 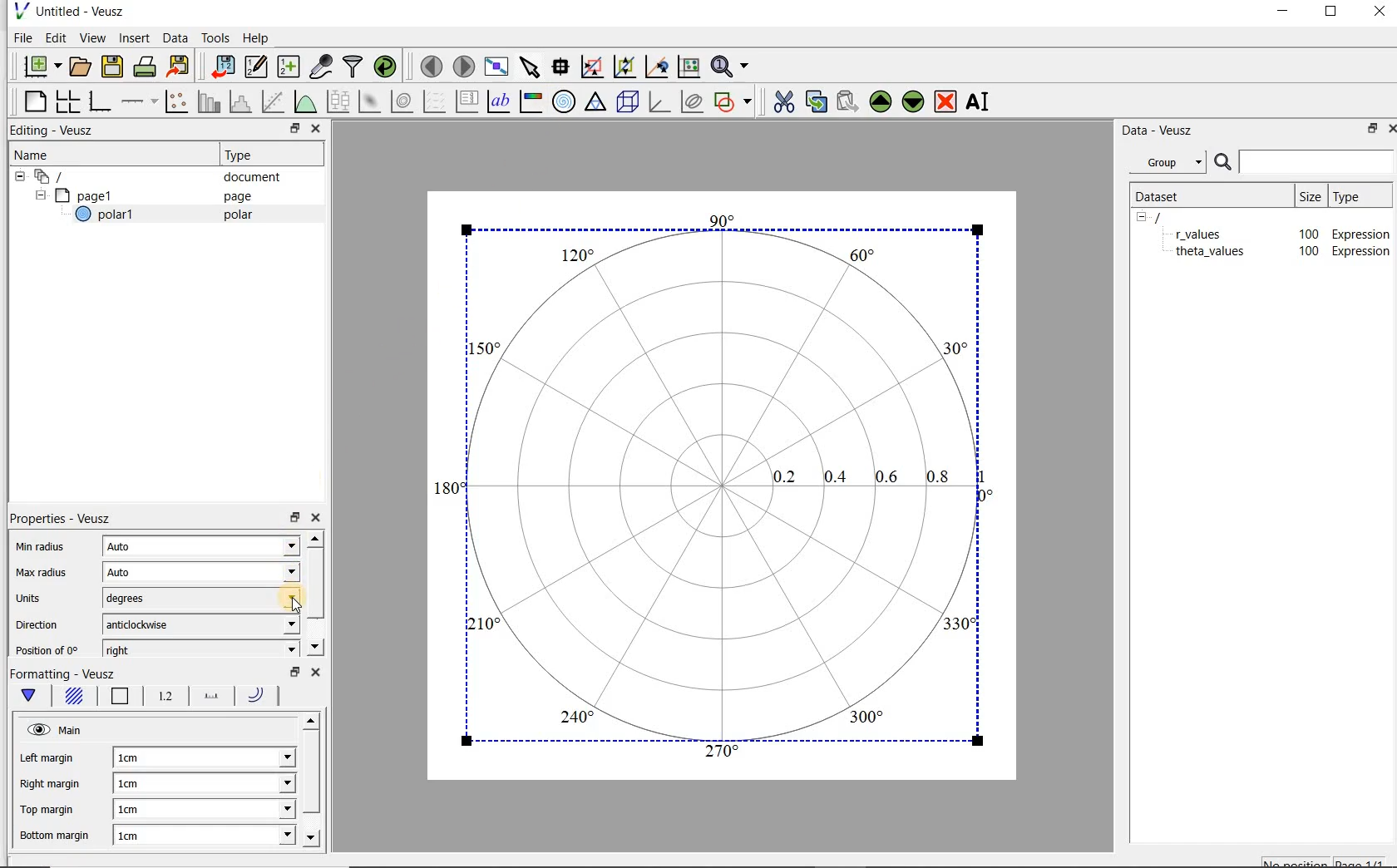 What do you see at coordinates (1366, 861) in the screenshot?
I see `page1/1` at bounding box center [1366, 861].